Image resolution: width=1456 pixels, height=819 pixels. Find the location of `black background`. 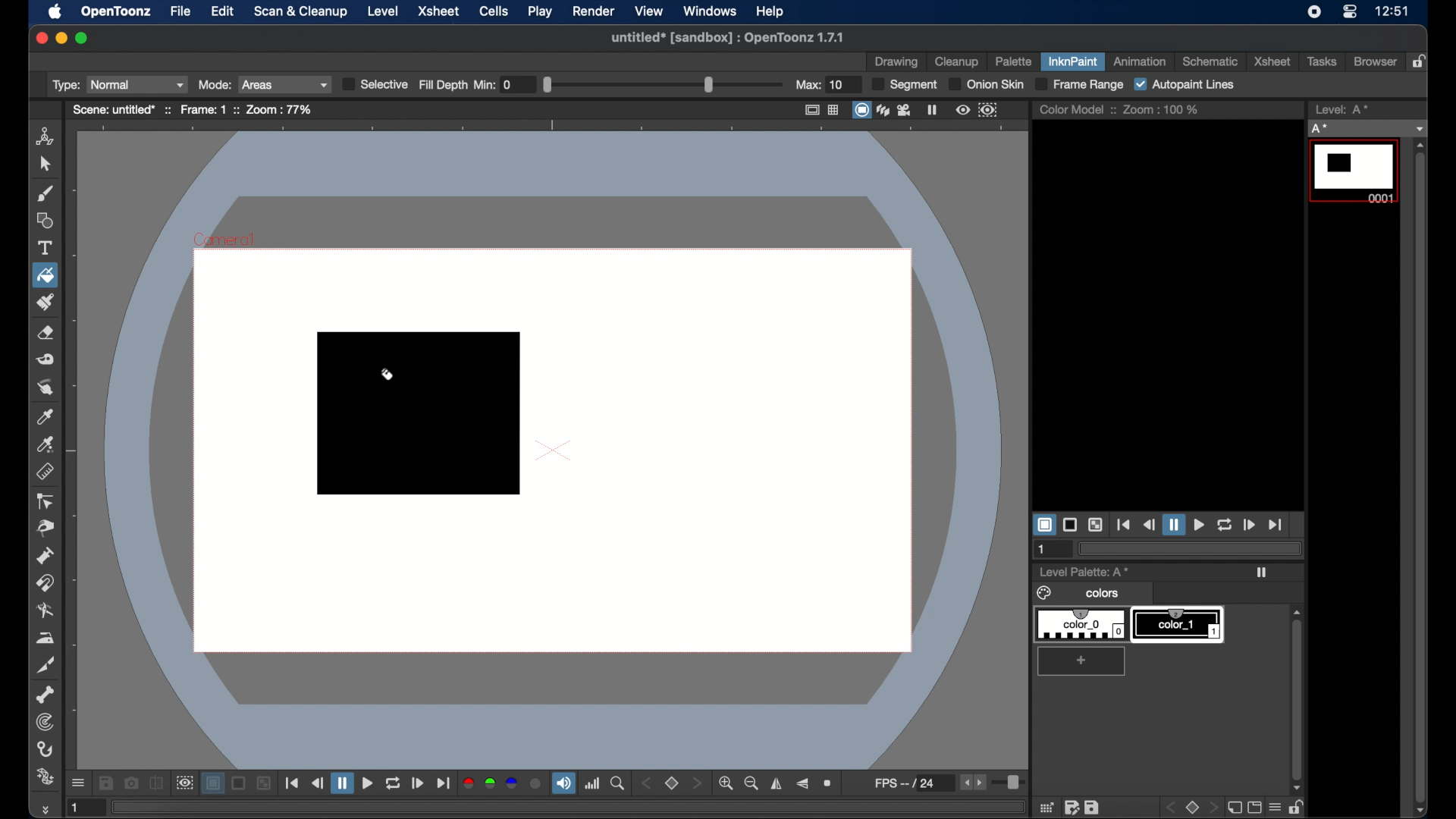

black background is located at coordinates (240, 783).